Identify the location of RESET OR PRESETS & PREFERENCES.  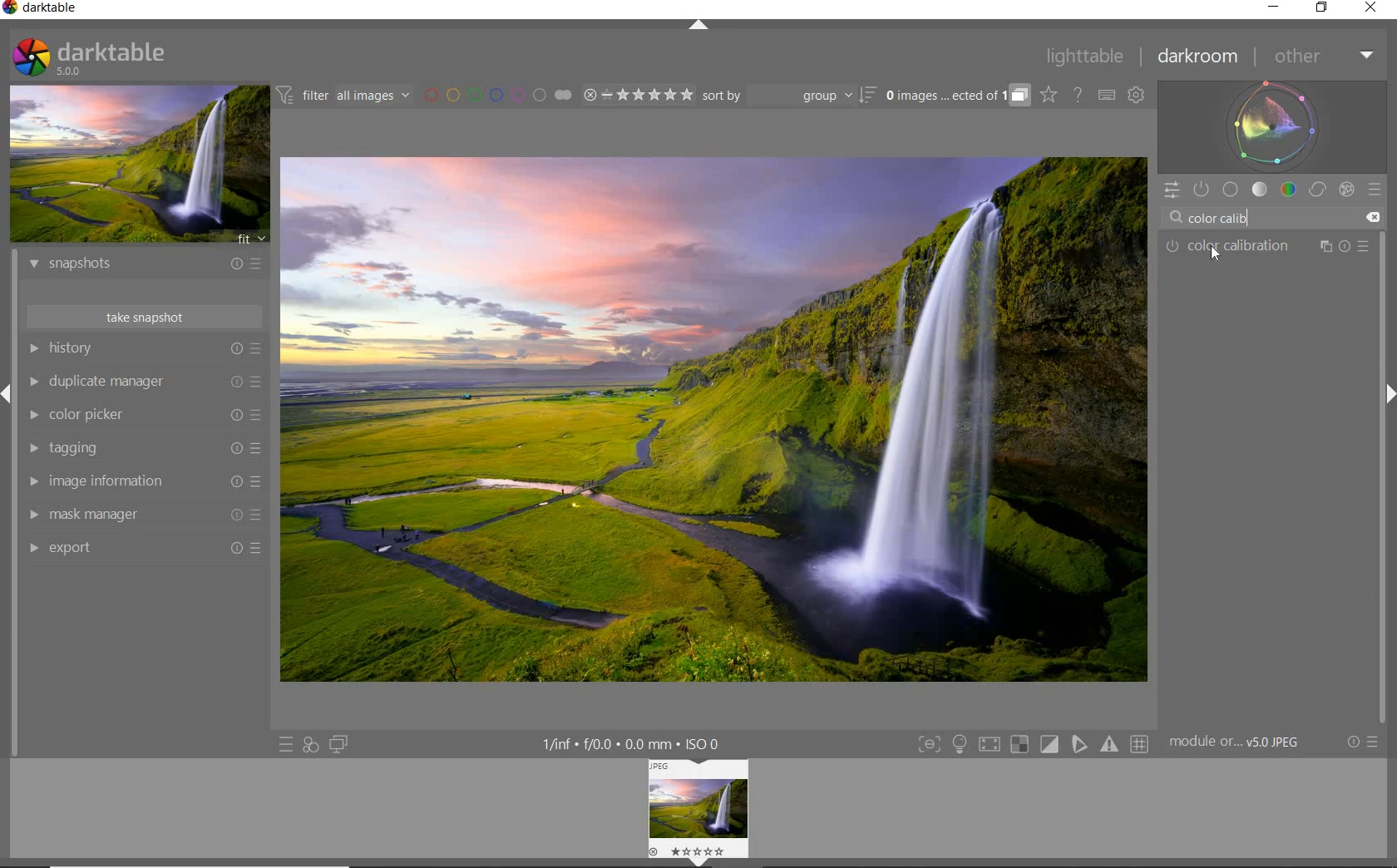
(1362, 743).